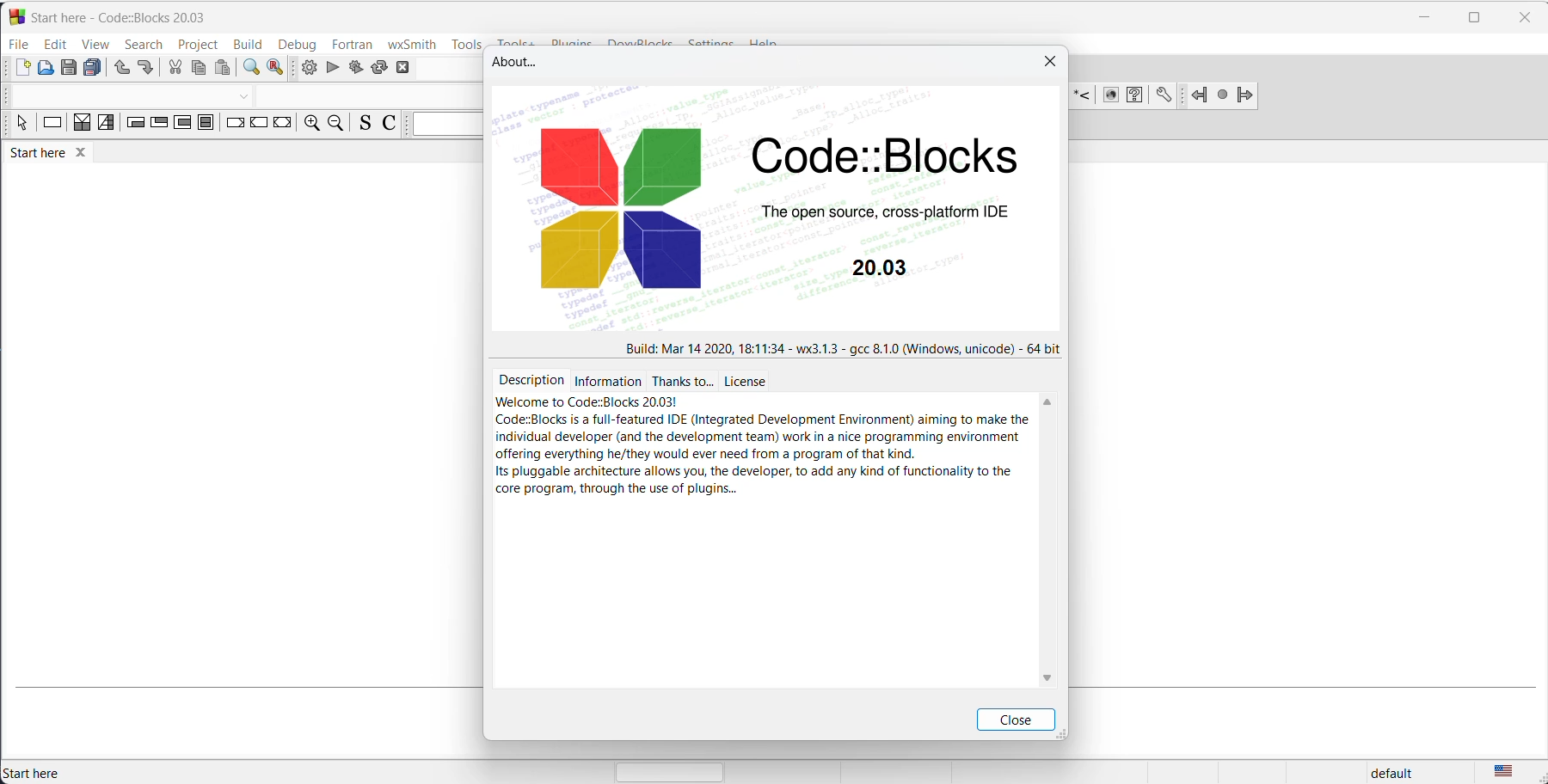 The height and width of the screenshot is (784, 1548). What do you see at coordinates (1473, 20) in the screenshot?
I see `maximize` at bounding box center [1473, 20].